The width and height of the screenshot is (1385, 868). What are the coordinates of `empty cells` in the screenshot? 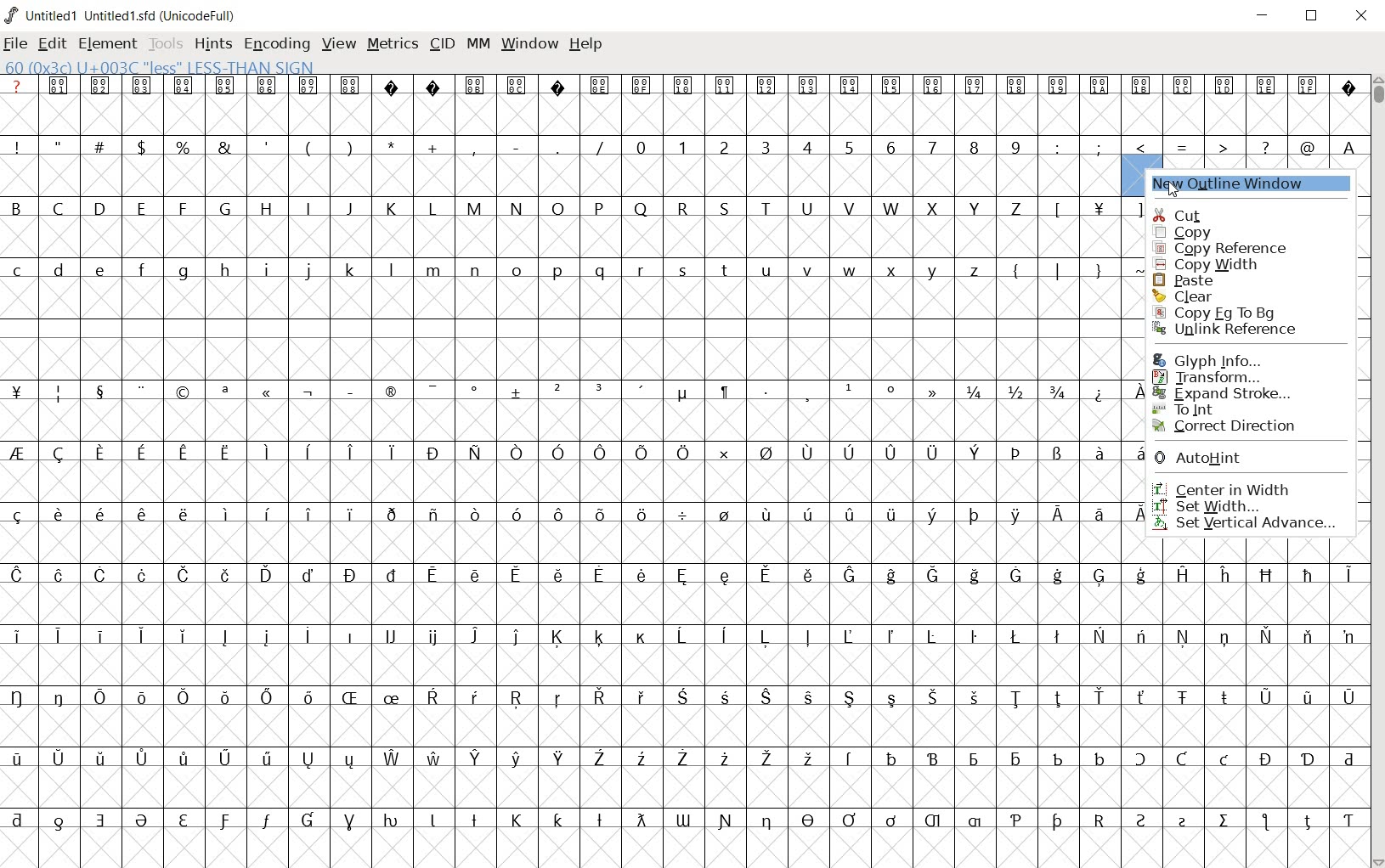 It's located at (579, 482).